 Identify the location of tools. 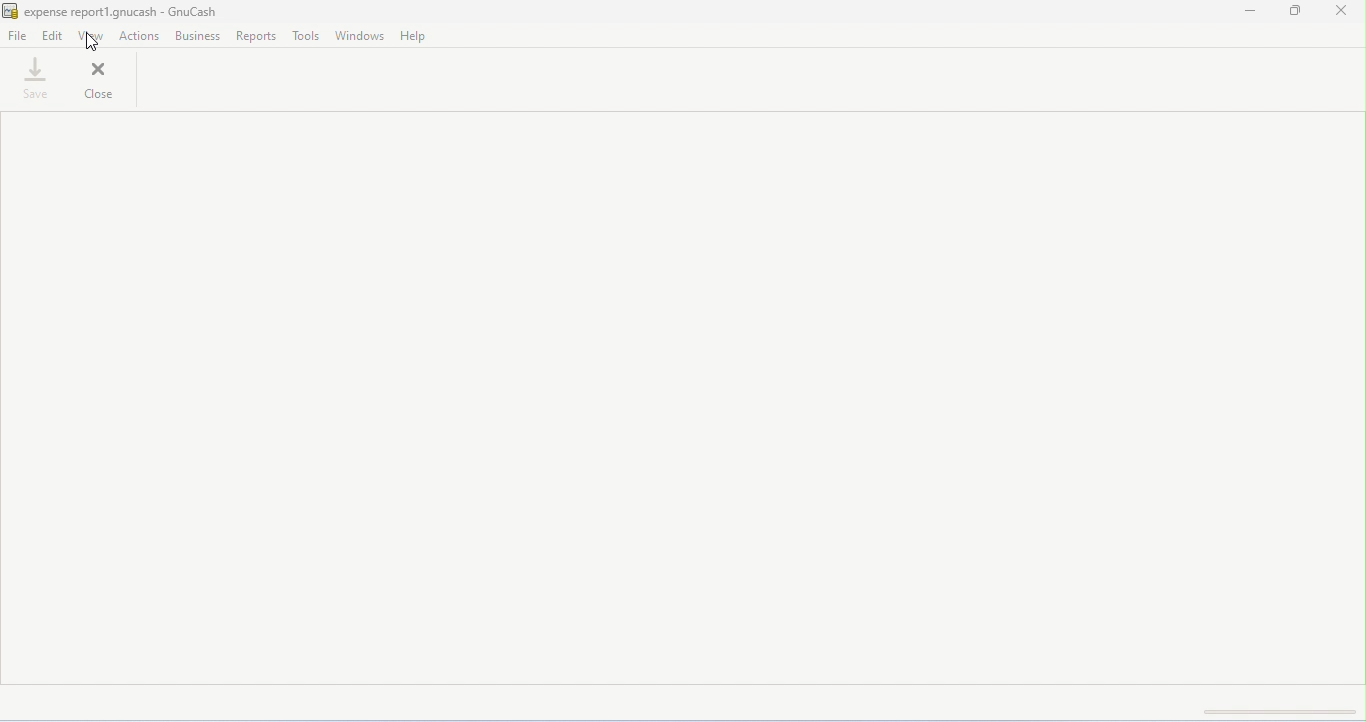
(306, 36).